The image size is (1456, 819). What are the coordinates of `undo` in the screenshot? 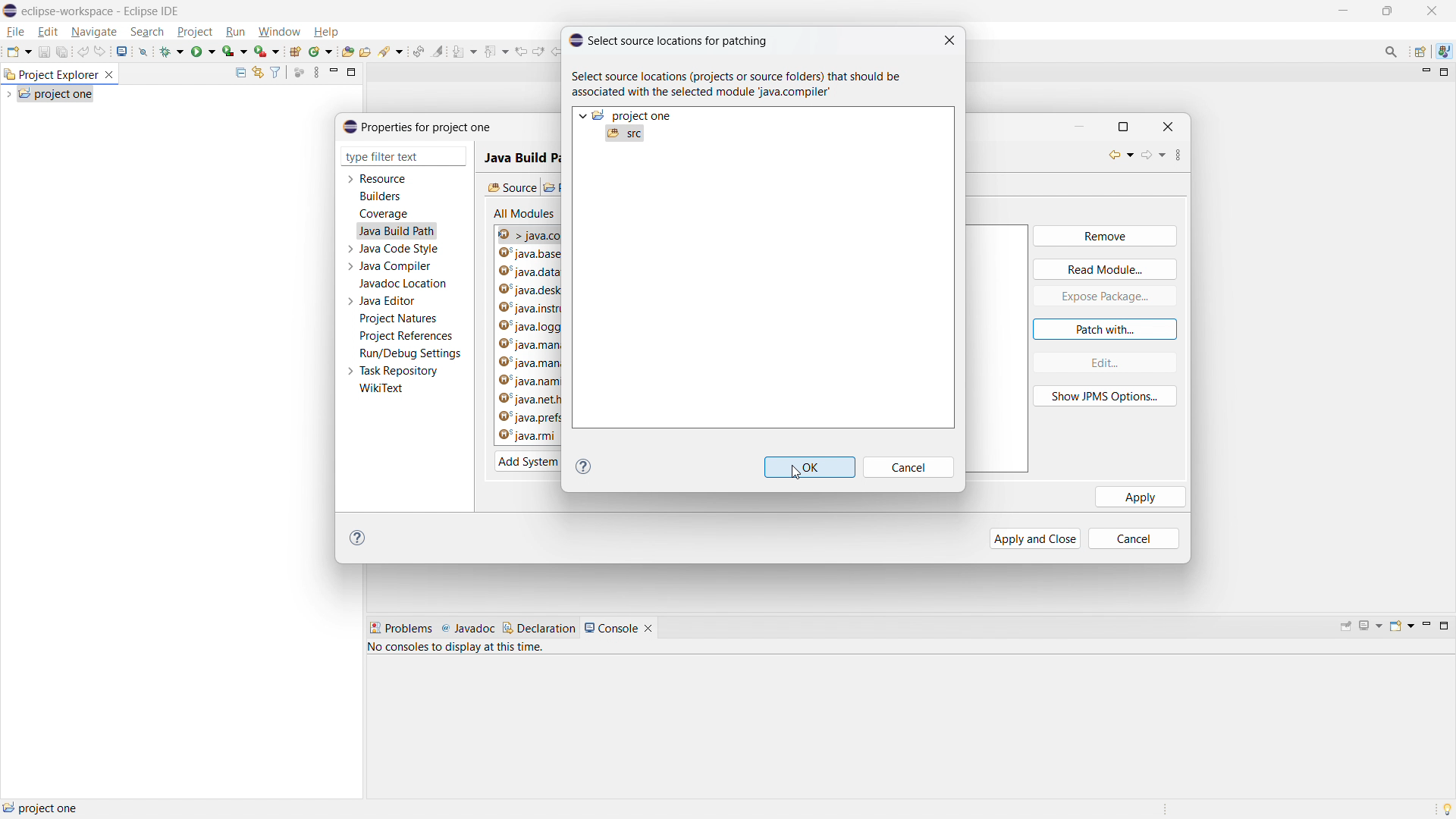 It's located at (83, 51).